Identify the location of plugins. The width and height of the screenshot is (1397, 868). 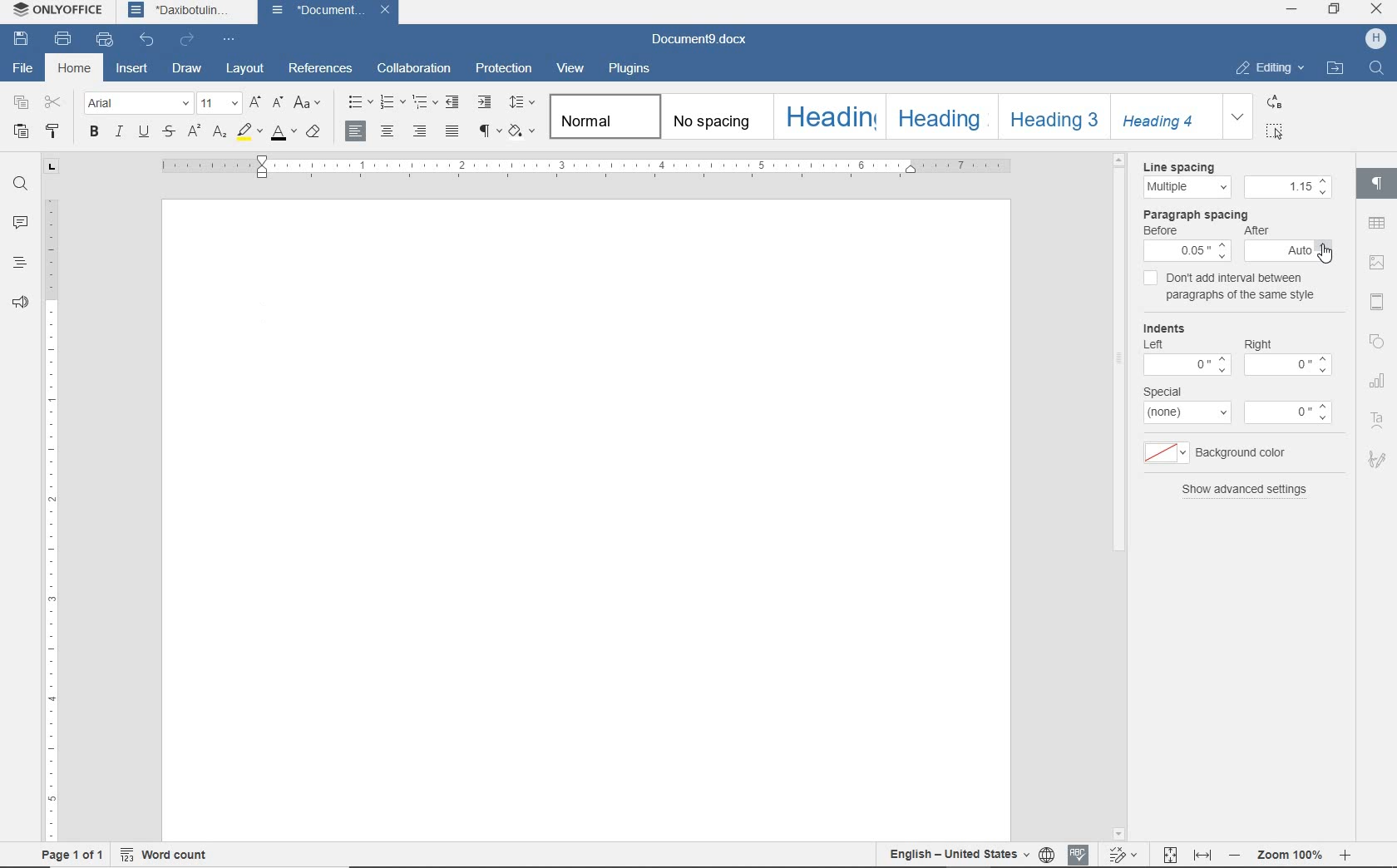
(629, 69).